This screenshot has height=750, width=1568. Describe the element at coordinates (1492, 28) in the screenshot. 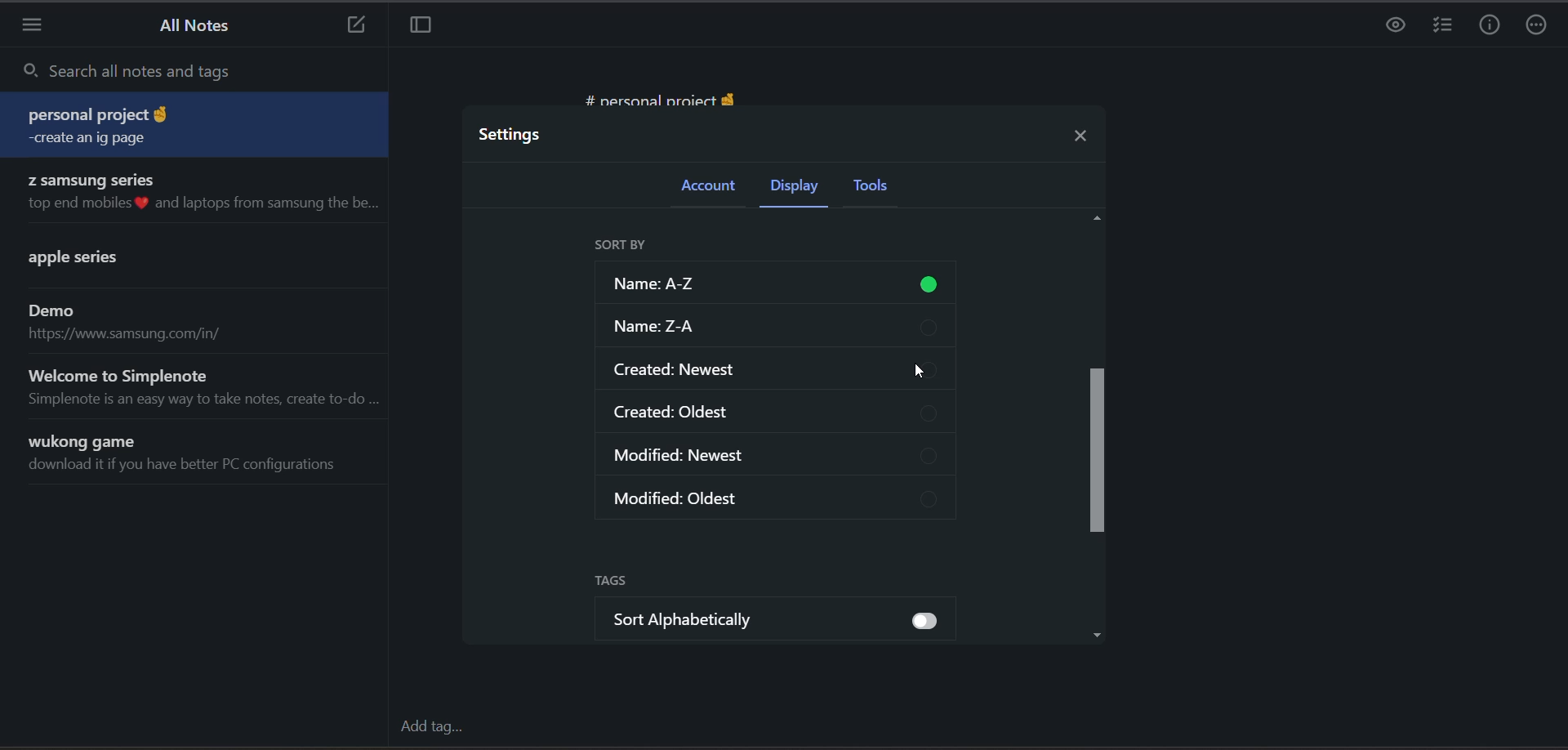

I see `info` at that location.